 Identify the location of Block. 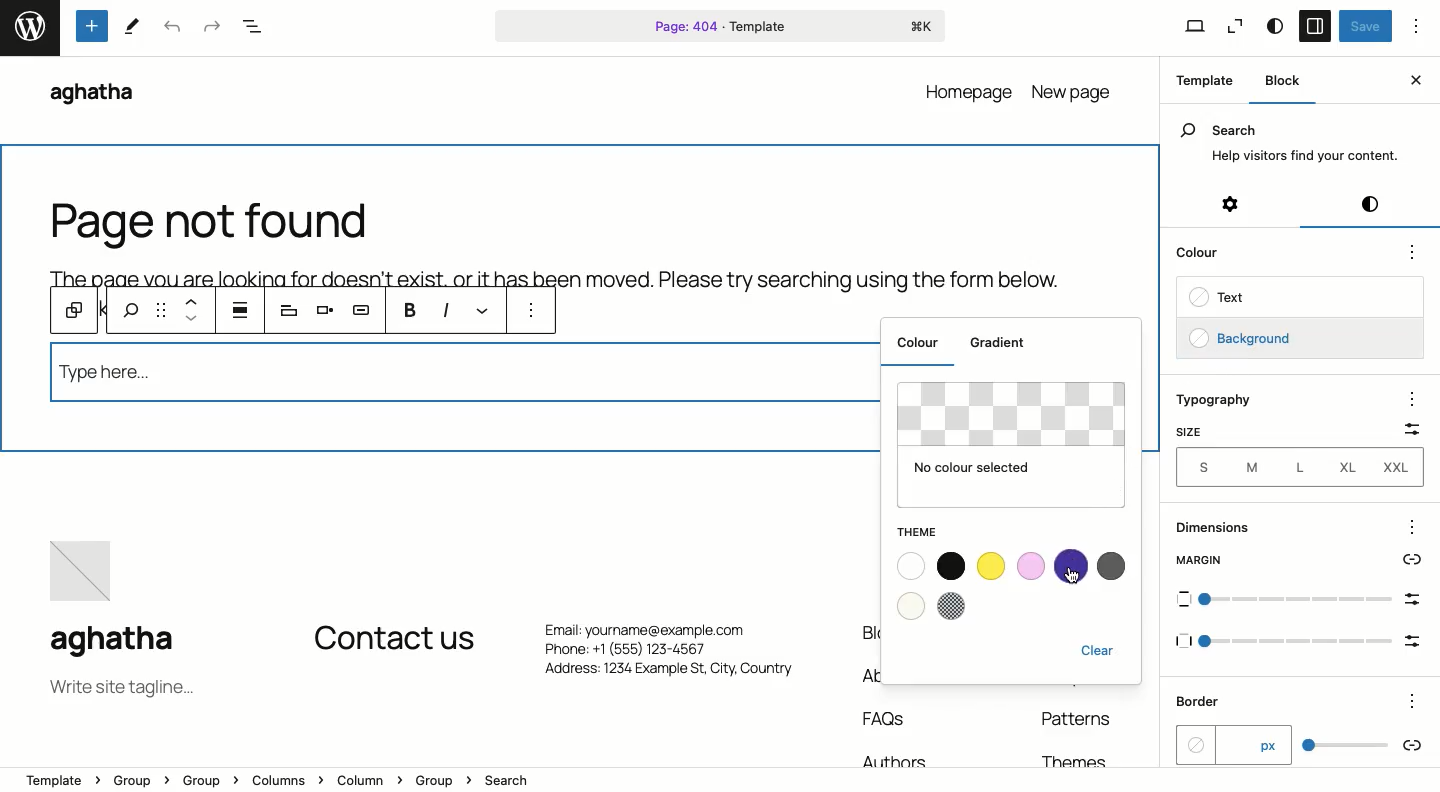
(1277, 80).